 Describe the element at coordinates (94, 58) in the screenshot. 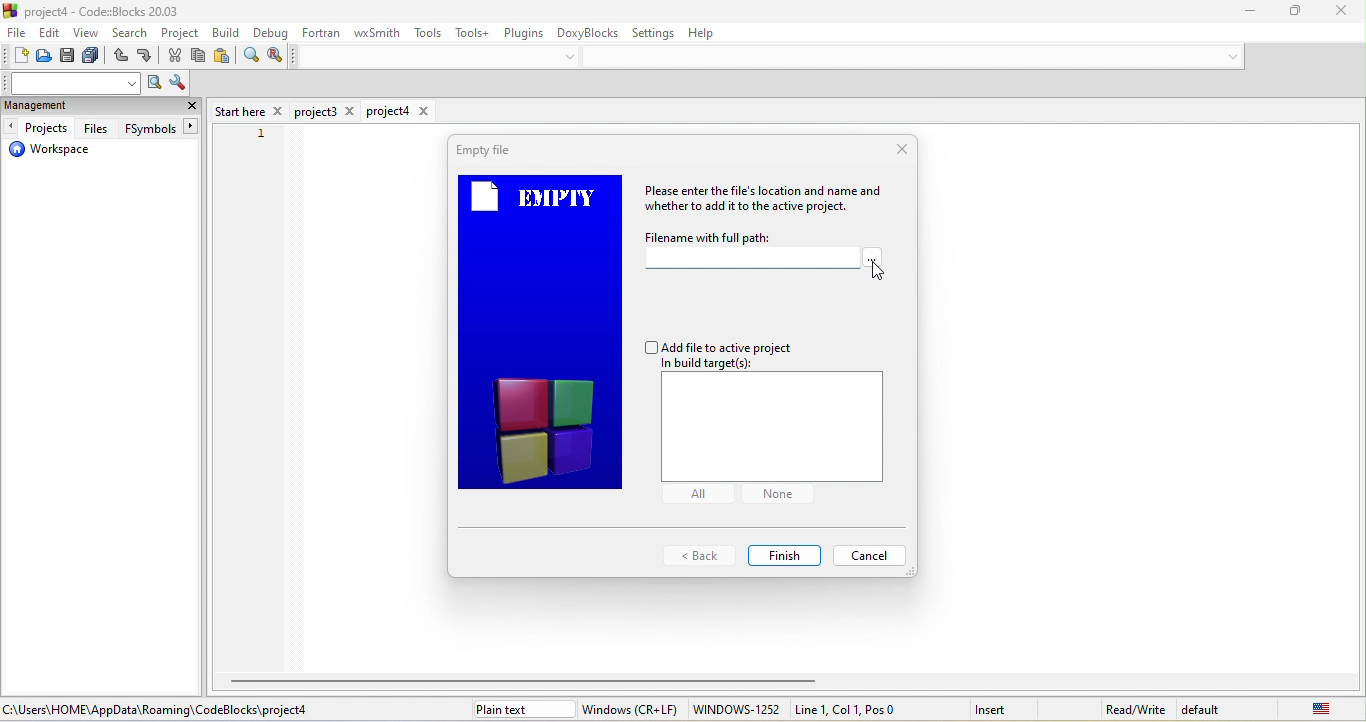

I see `save everything` at that location.